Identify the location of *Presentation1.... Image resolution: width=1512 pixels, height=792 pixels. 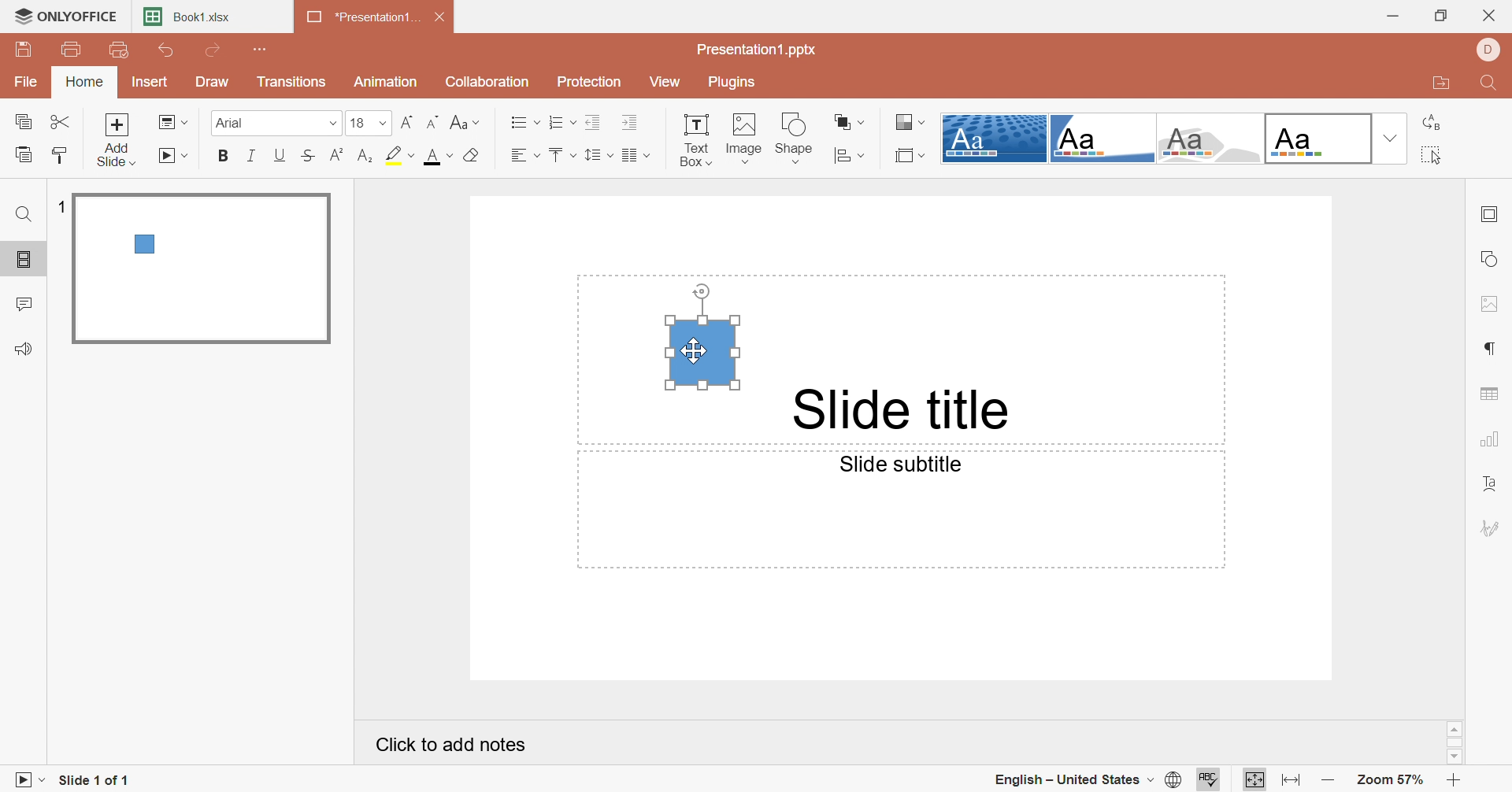
(357, 19).